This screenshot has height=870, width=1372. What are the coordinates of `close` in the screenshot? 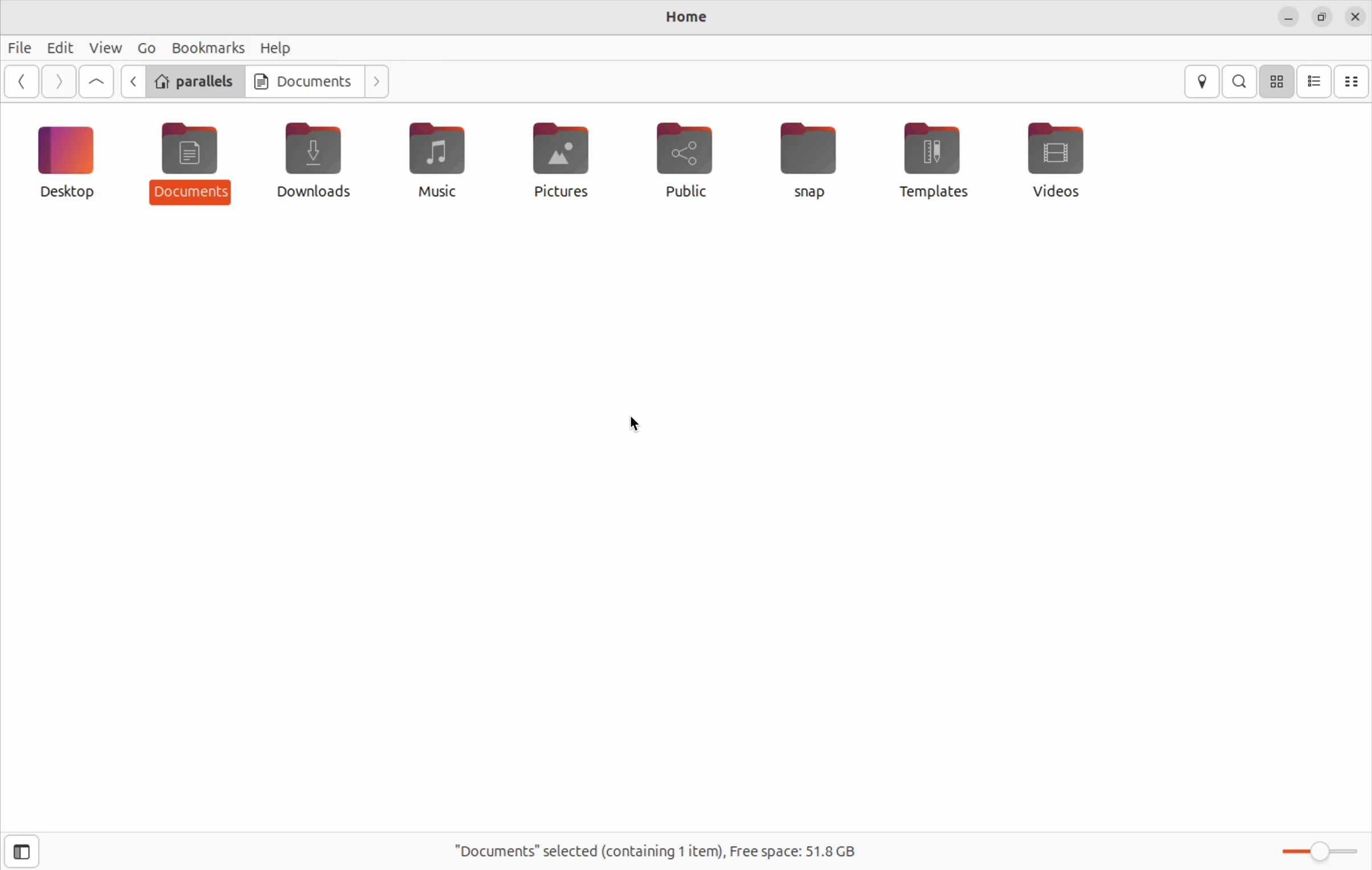 It's located at (1357, 15).